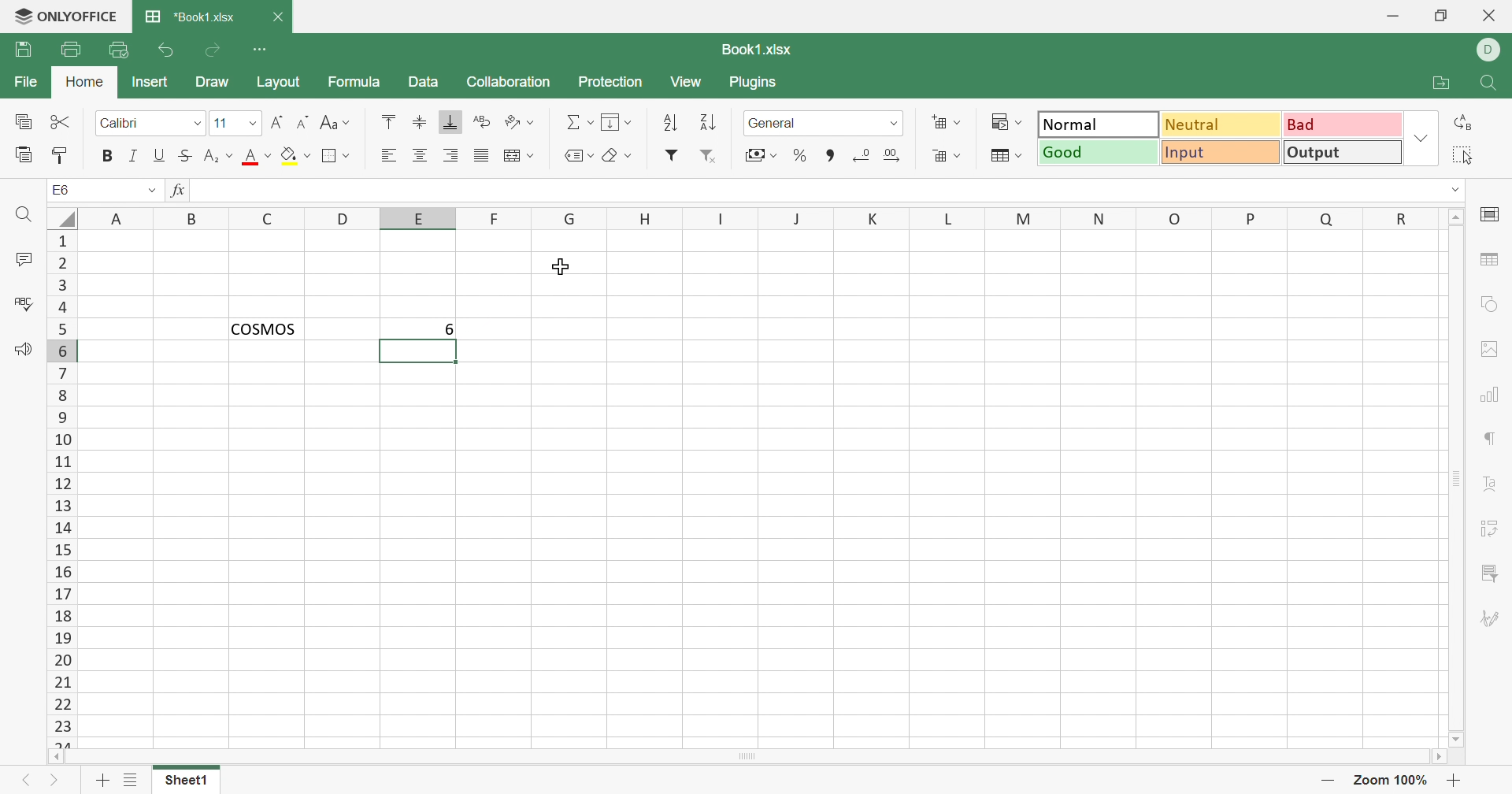 This screenshot has width=1512, height=794. Describe the element at coordinates (150, 191) in the screenshot. I see `Drop Down` at that location.